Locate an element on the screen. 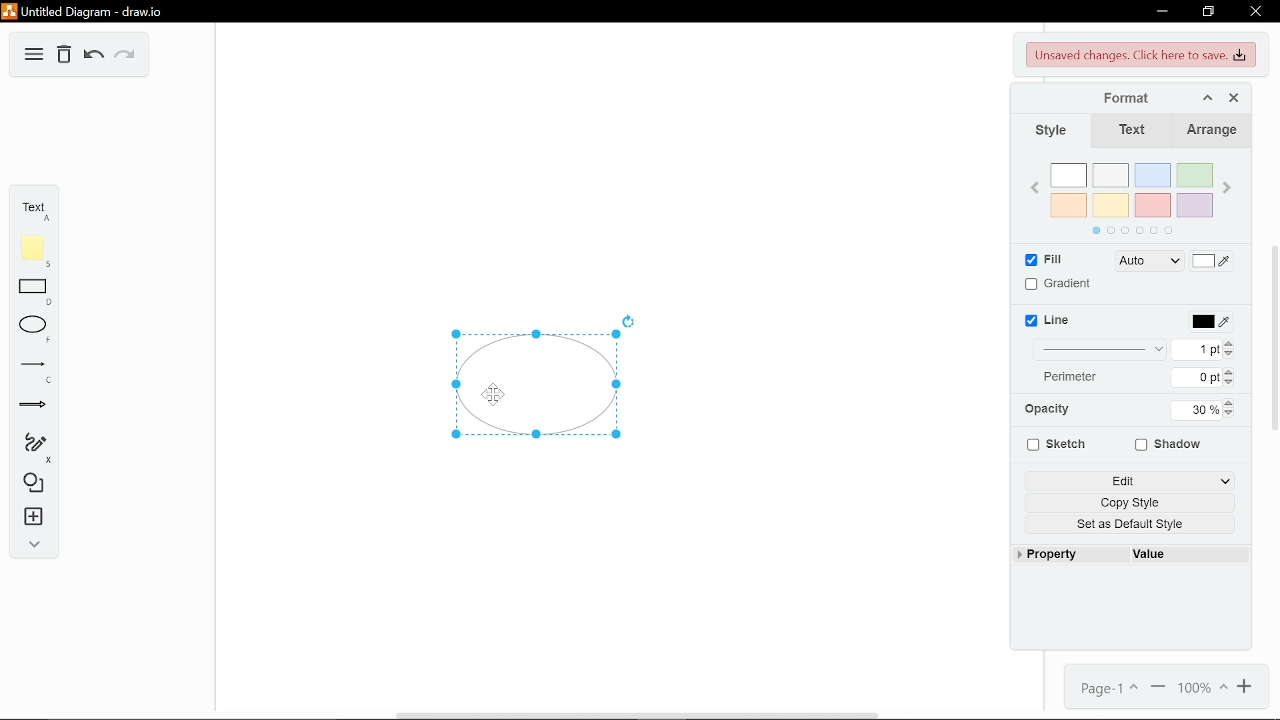  Current opacity is located at coordinates (1197, 409).